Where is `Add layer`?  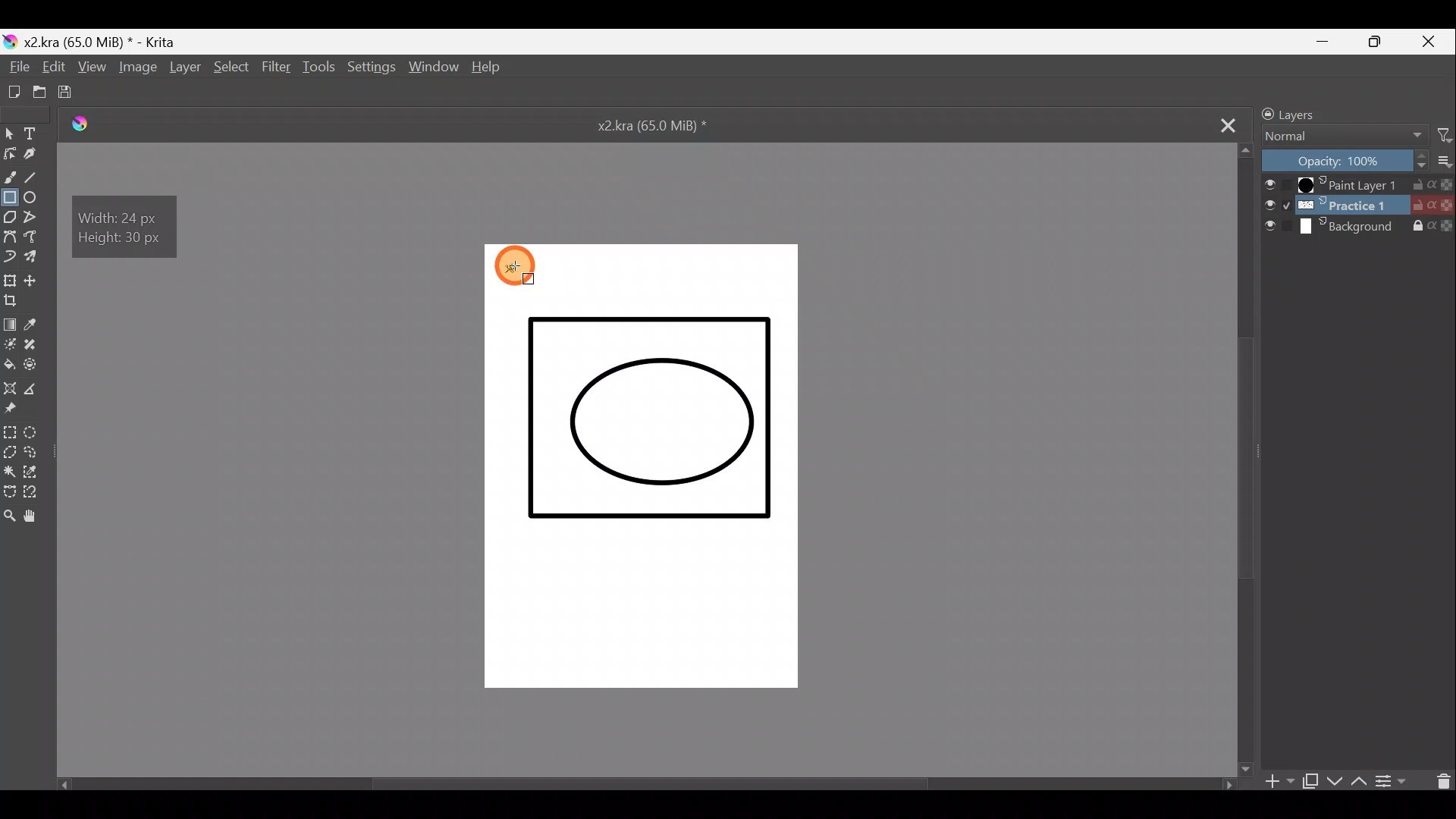 Add layer is located at coordinates (1277, 786).